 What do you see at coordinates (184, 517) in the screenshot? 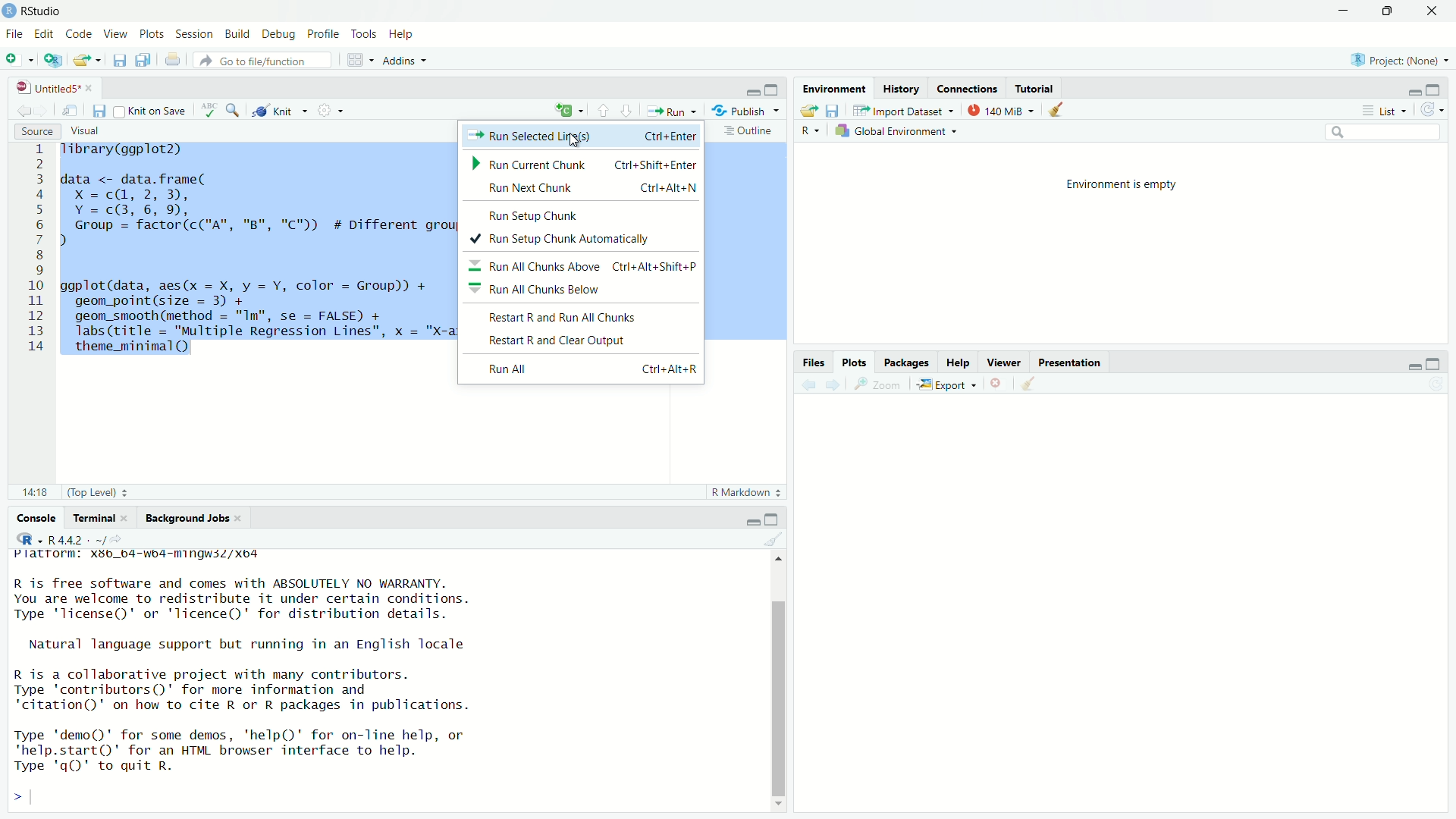
I see `Background Jobs` at bounding box center [184, 517].